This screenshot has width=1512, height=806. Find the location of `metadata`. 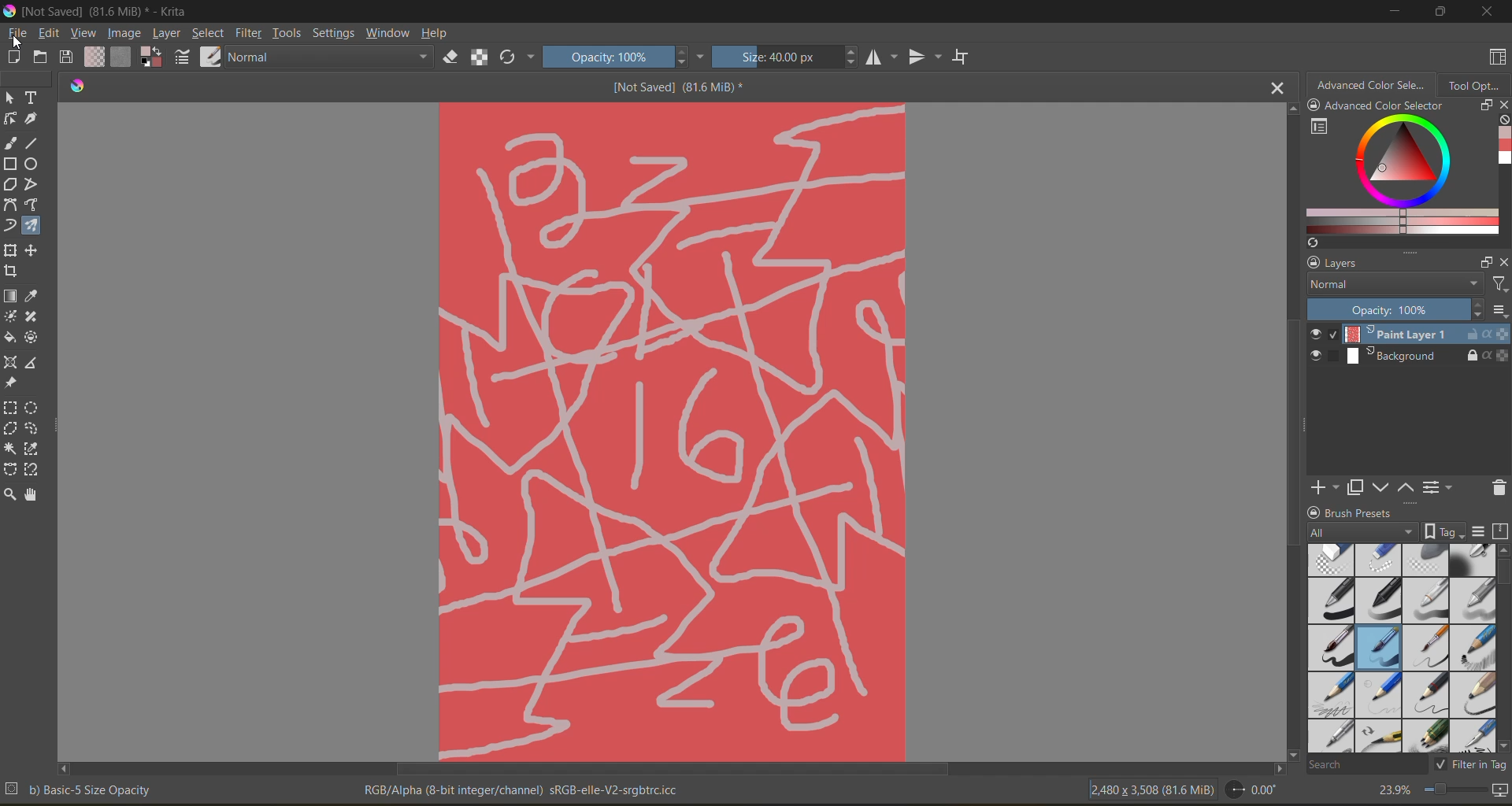

metadata is located at coordinates (524, 790).